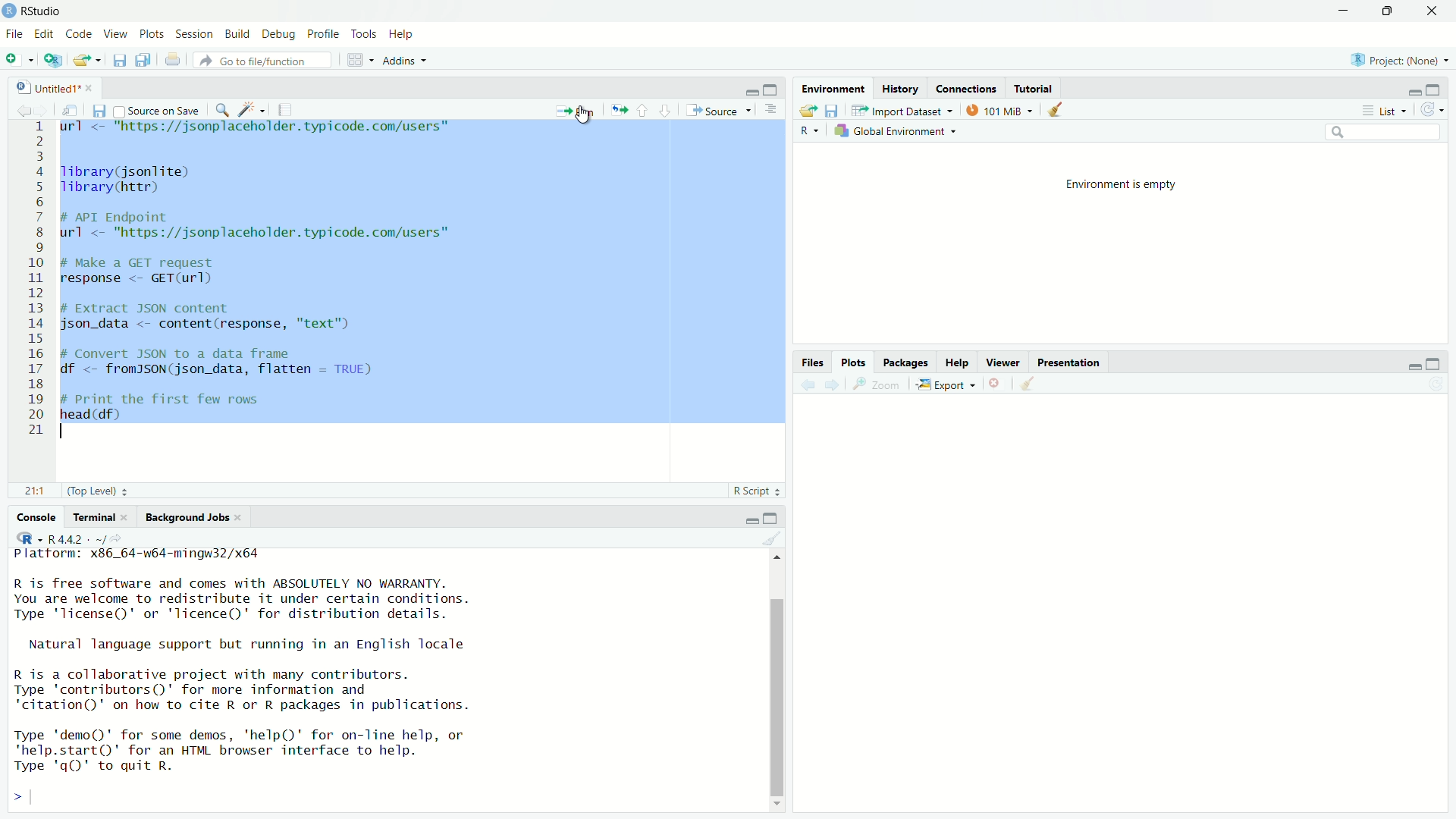 The width and height of the screenshot is (1456, 819). I want to click on Export, so click(944, 385).